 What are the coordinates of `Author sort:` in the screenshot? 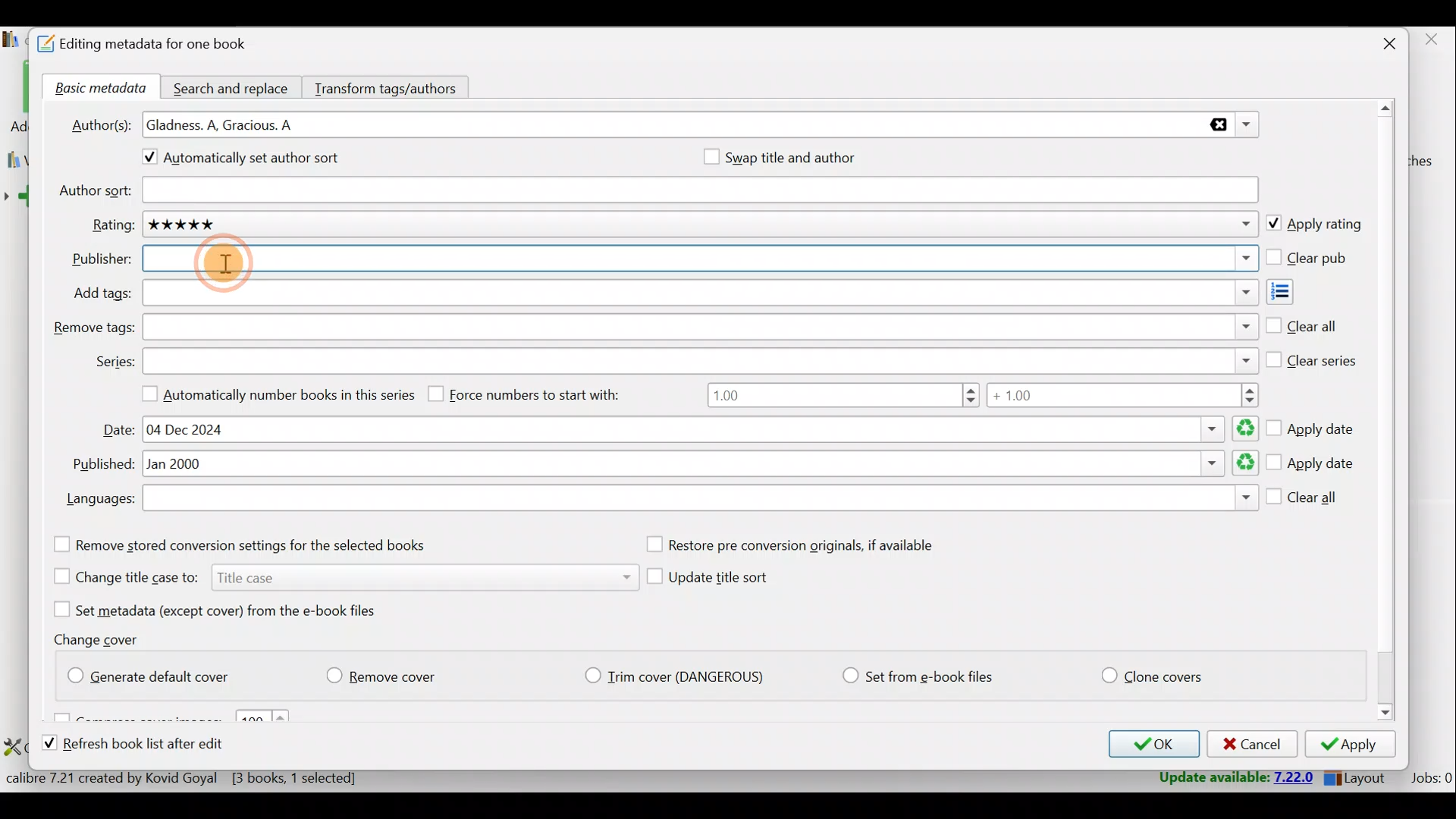 It's located at (93, 191).